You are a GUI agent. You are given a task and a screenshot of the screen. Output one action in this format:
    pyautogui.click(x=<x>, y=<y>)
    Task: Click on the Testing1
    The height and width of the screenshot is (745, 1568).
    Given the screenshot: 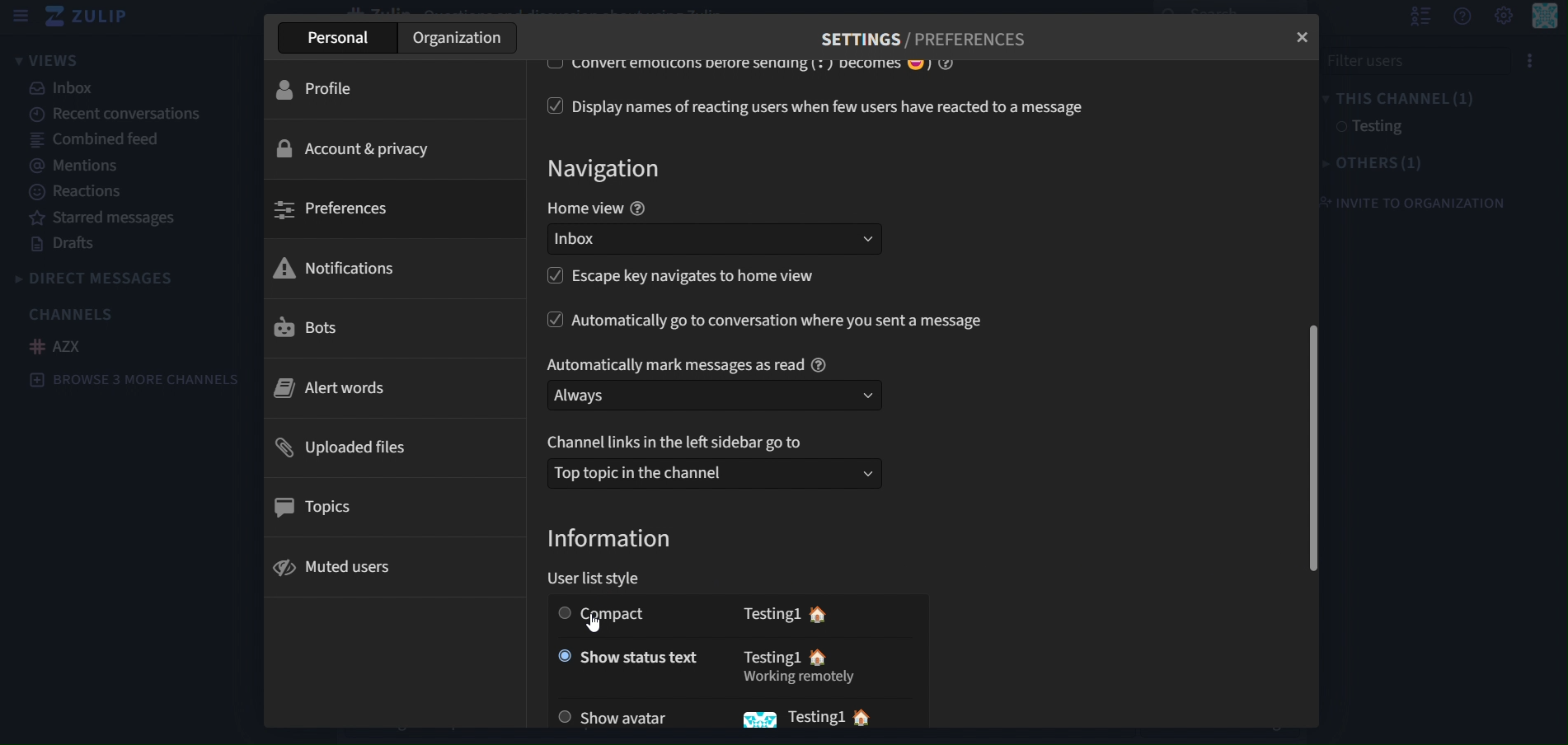 What is the action you would take?
    pyautogui.click(x=765, y=658)
    